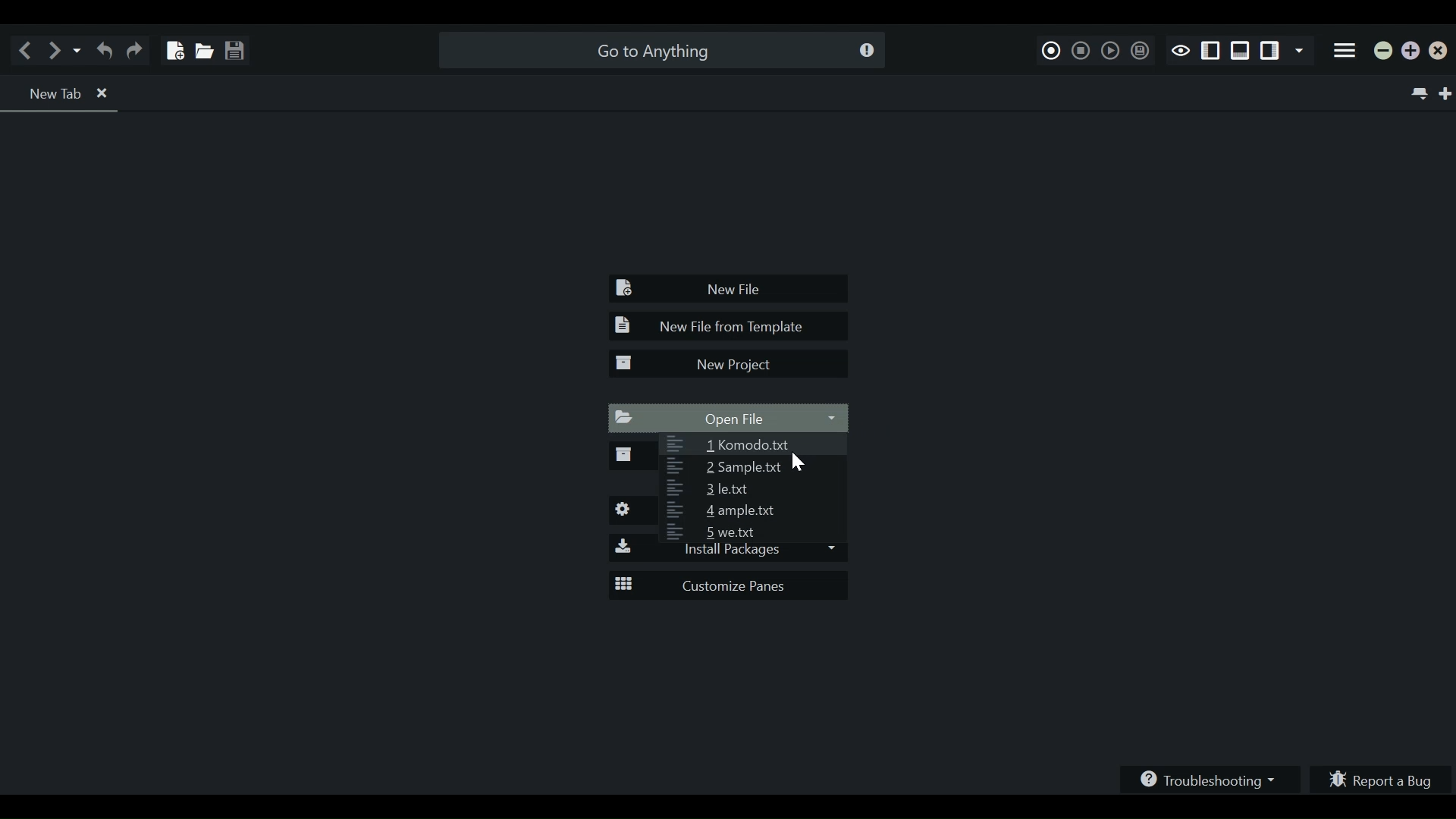  What do you see at coordinates (1442, 54) in the screenshot?
I see `Close` at bounding box center [1442, 54].